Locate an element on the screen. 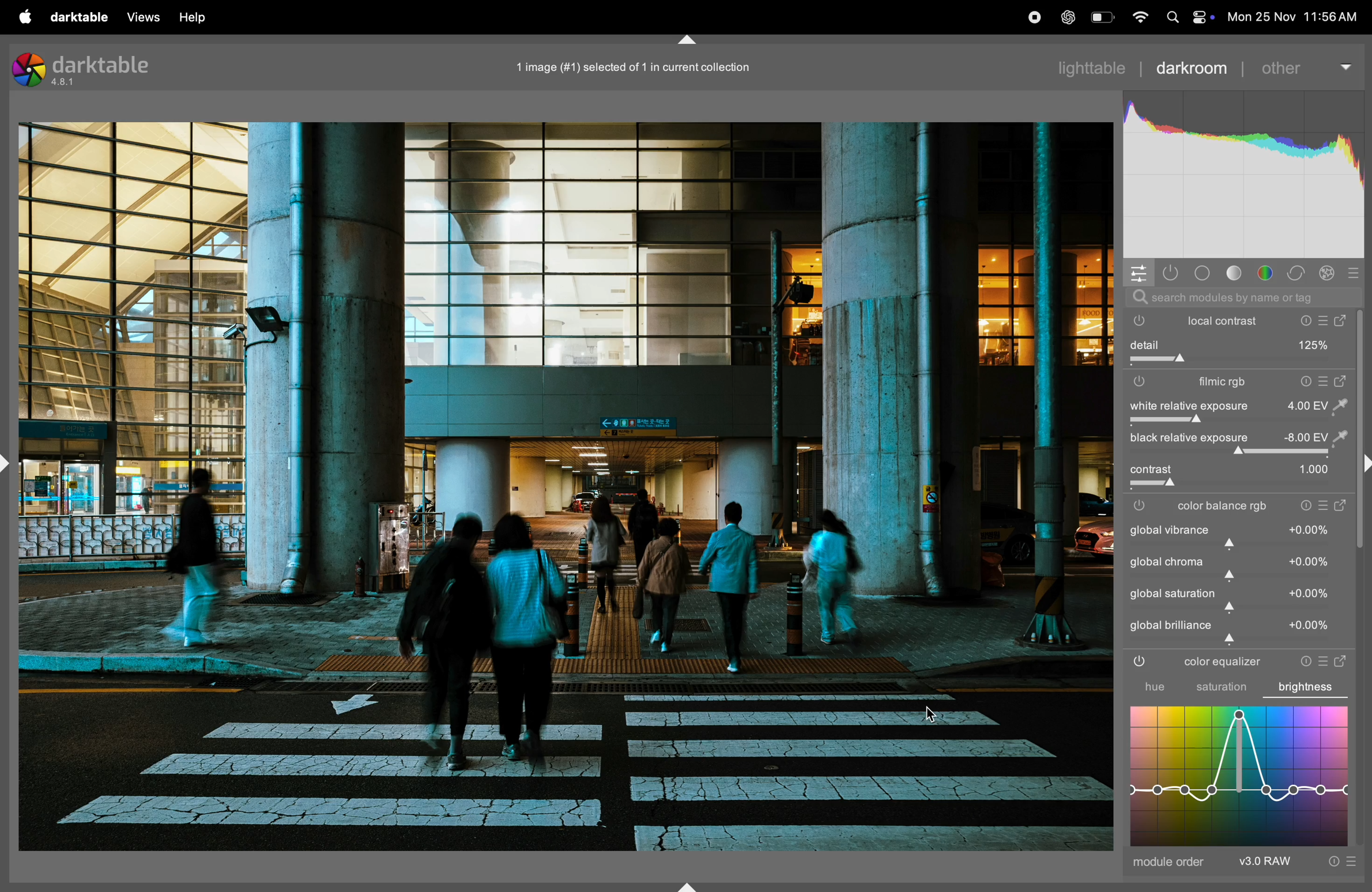  darktable menu is located at coordinates (81, 16).